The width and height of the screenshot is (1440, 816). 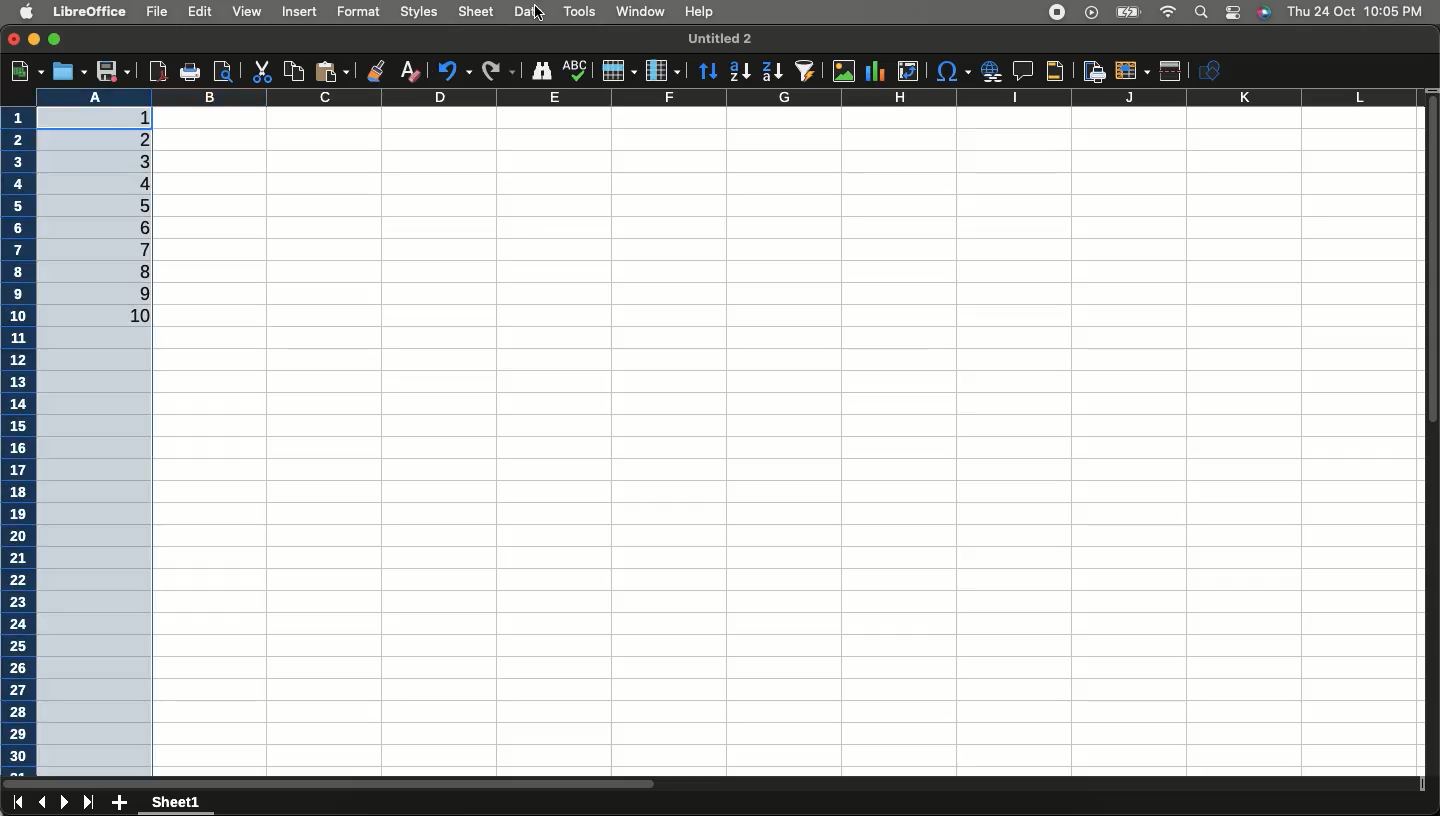 I want to click on Close, so click(x=14, y=40).